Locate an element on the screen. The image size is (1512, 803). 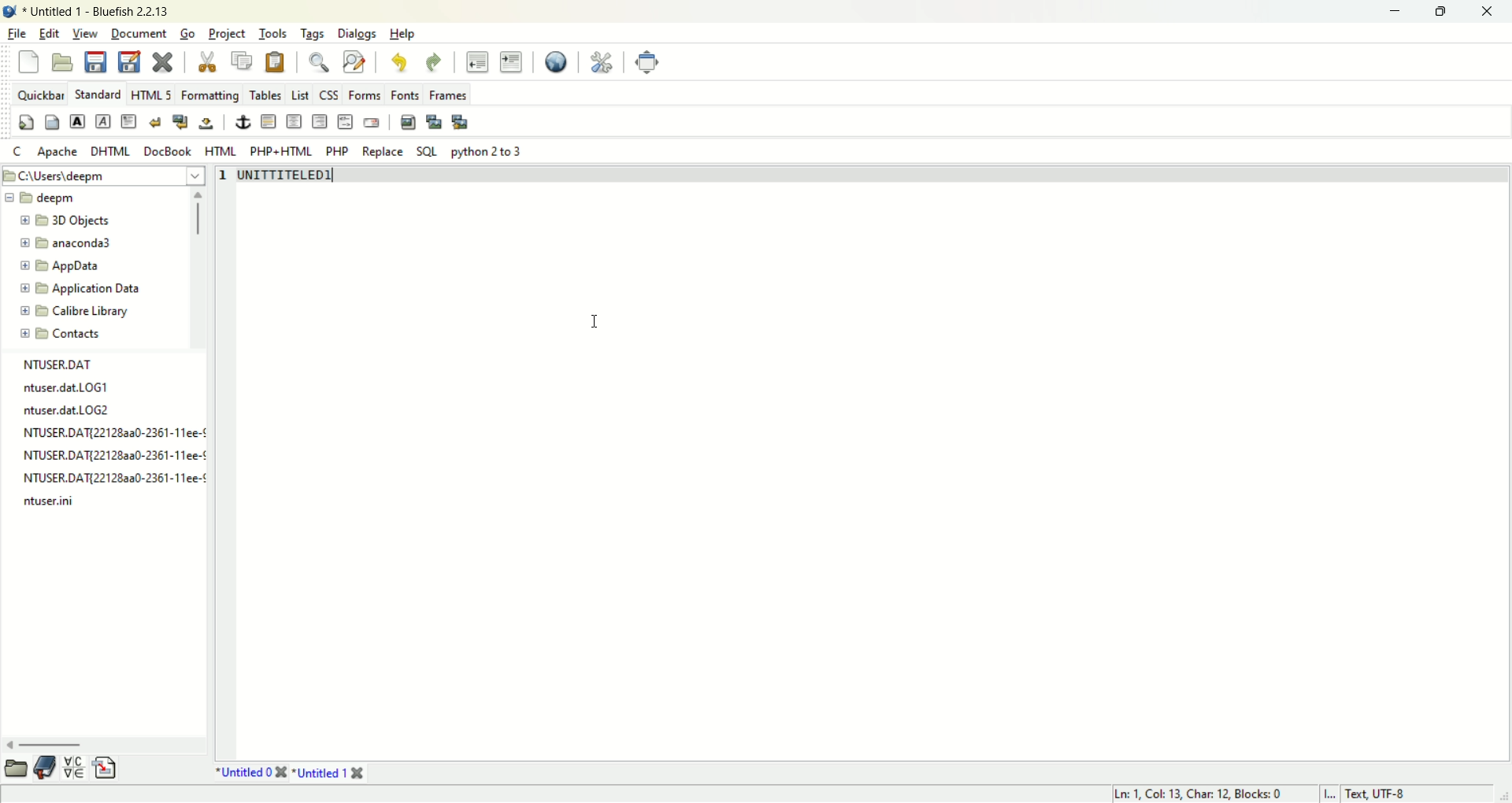
untitle0 is located at coordinates (248, 774).